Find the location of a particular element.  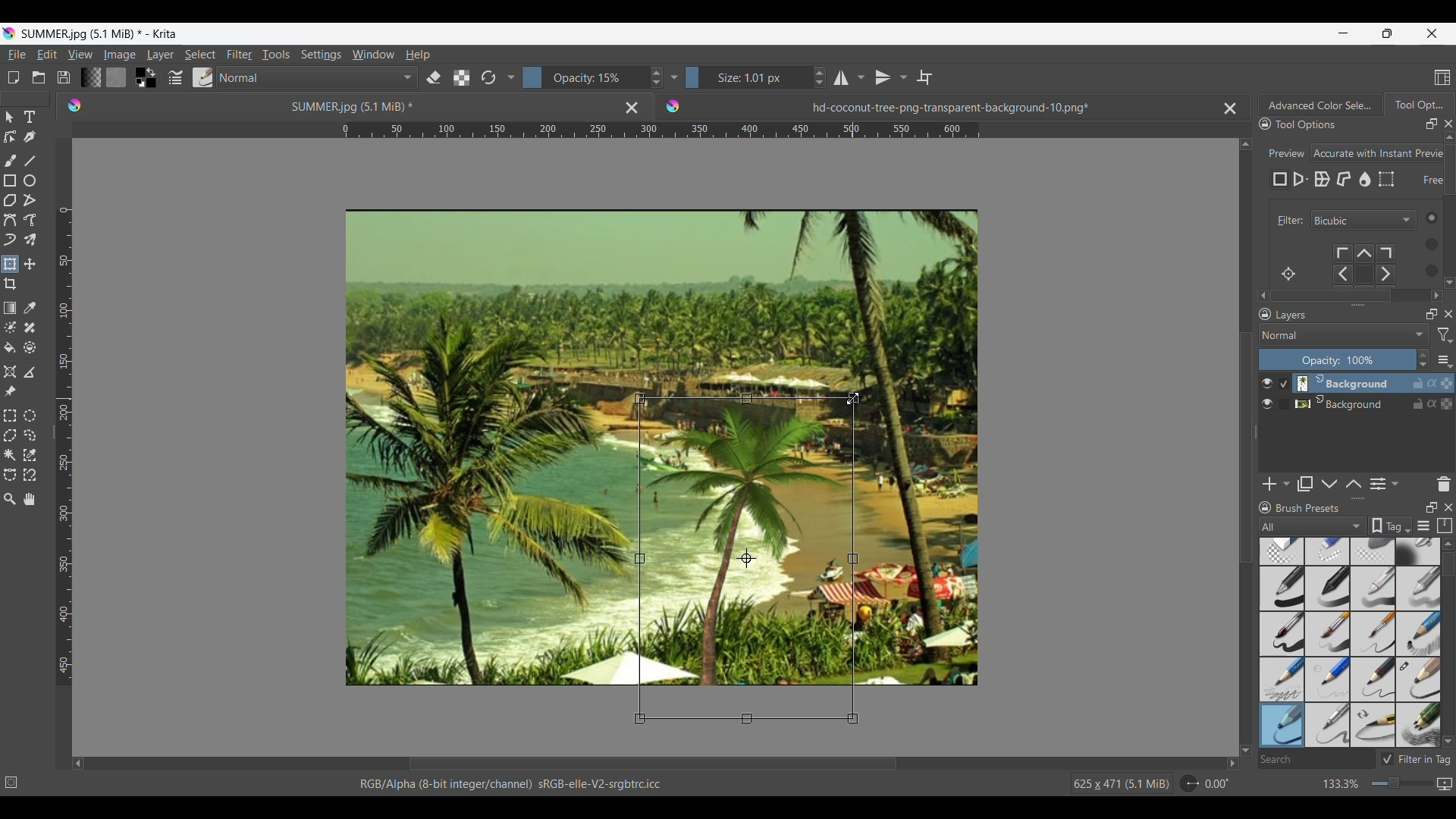

SUMMERjpg(5.1 MiB)* - Lrita is located at coordinates (101, 33).